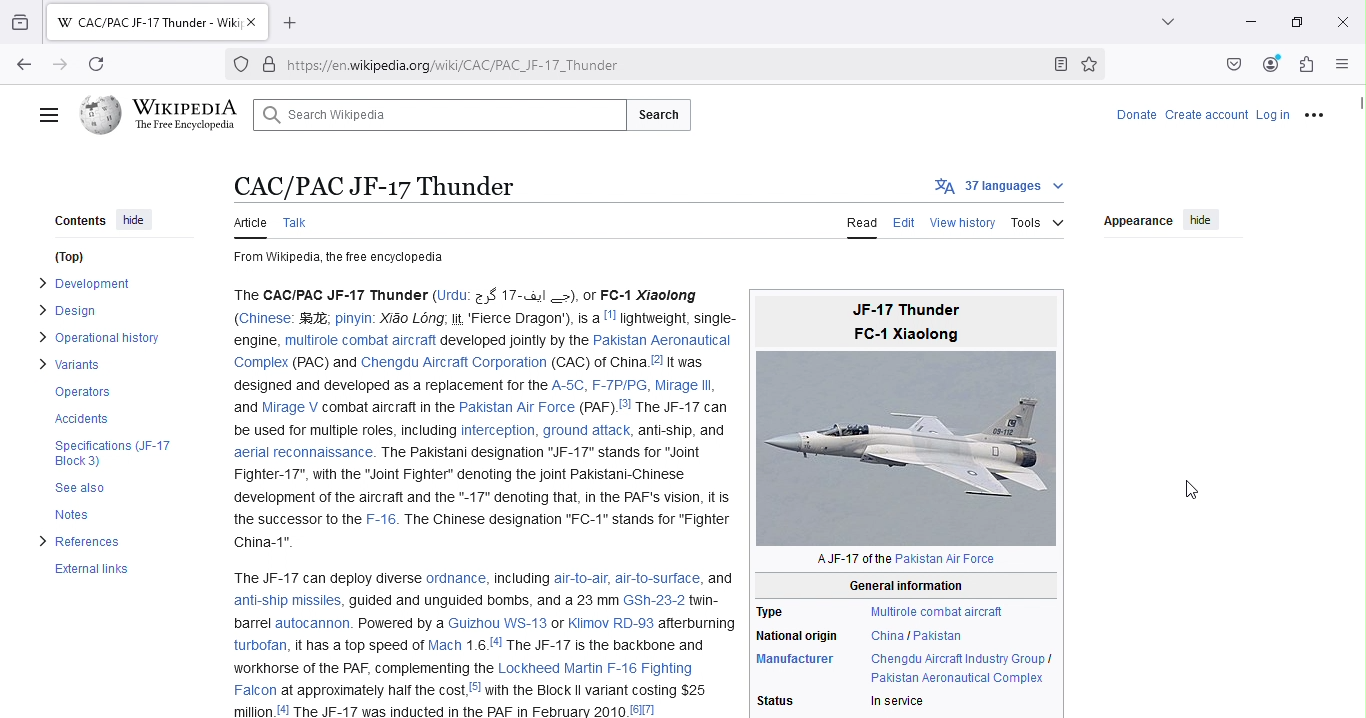 The height and width of the screenshot is (718, 1366). What do you see at coordinates (65, 260) in the screenshot?
I see `(Top)` at bounding box center [65, 260].